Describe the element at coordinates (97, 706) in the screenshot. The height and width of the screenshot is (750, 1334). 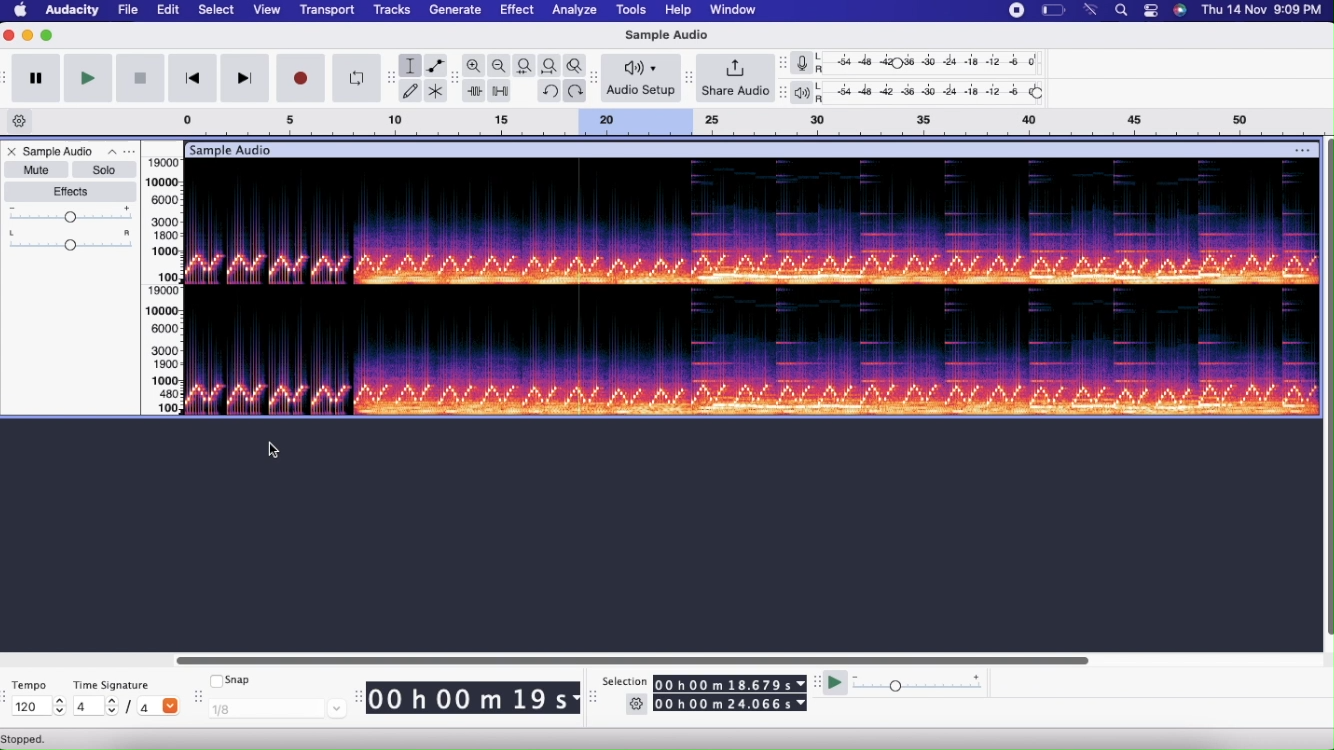
I see `4` at that location.